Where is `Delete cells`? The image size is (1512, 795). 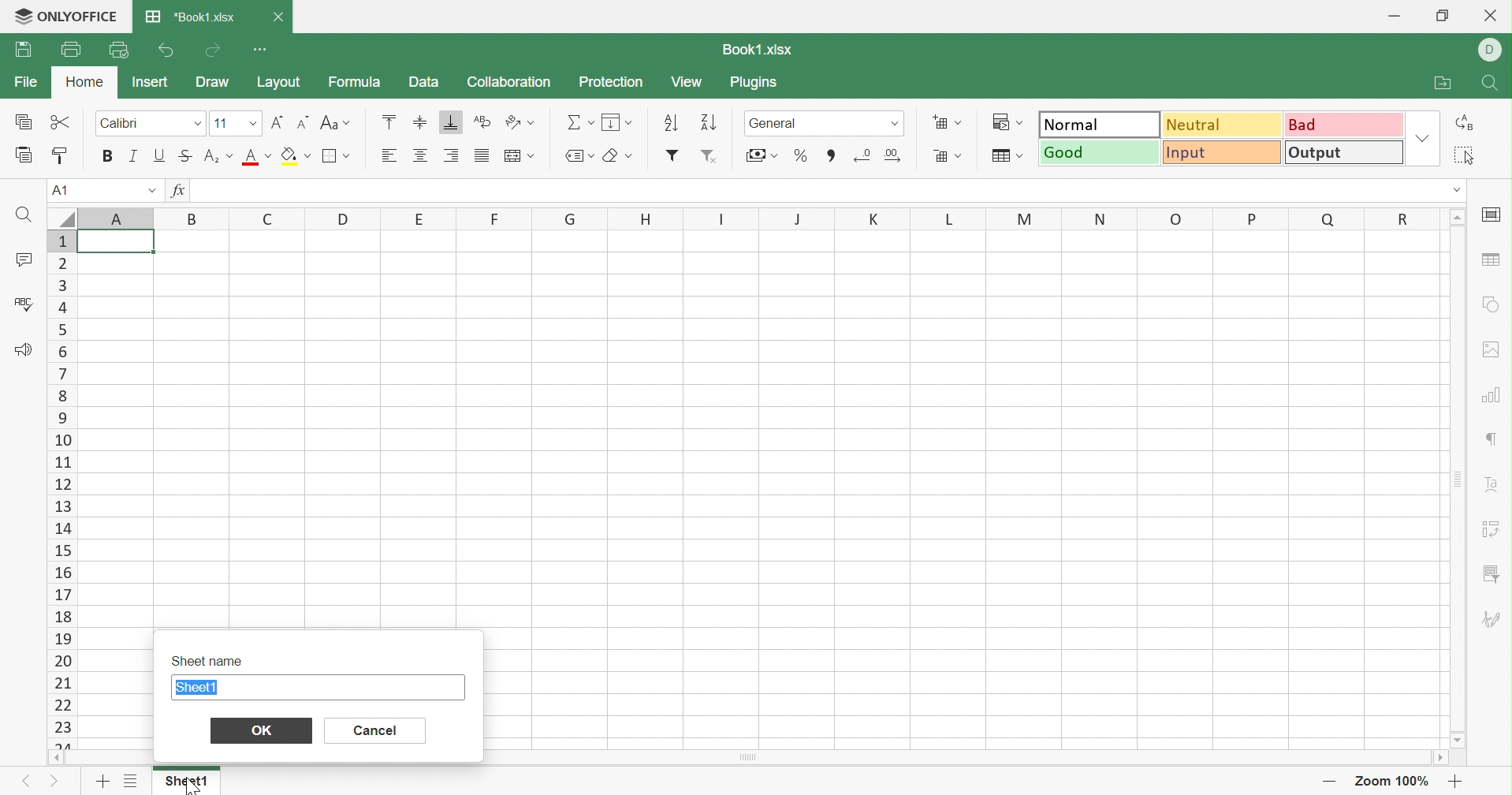
Delete cells is located at coordinates (946, 156).